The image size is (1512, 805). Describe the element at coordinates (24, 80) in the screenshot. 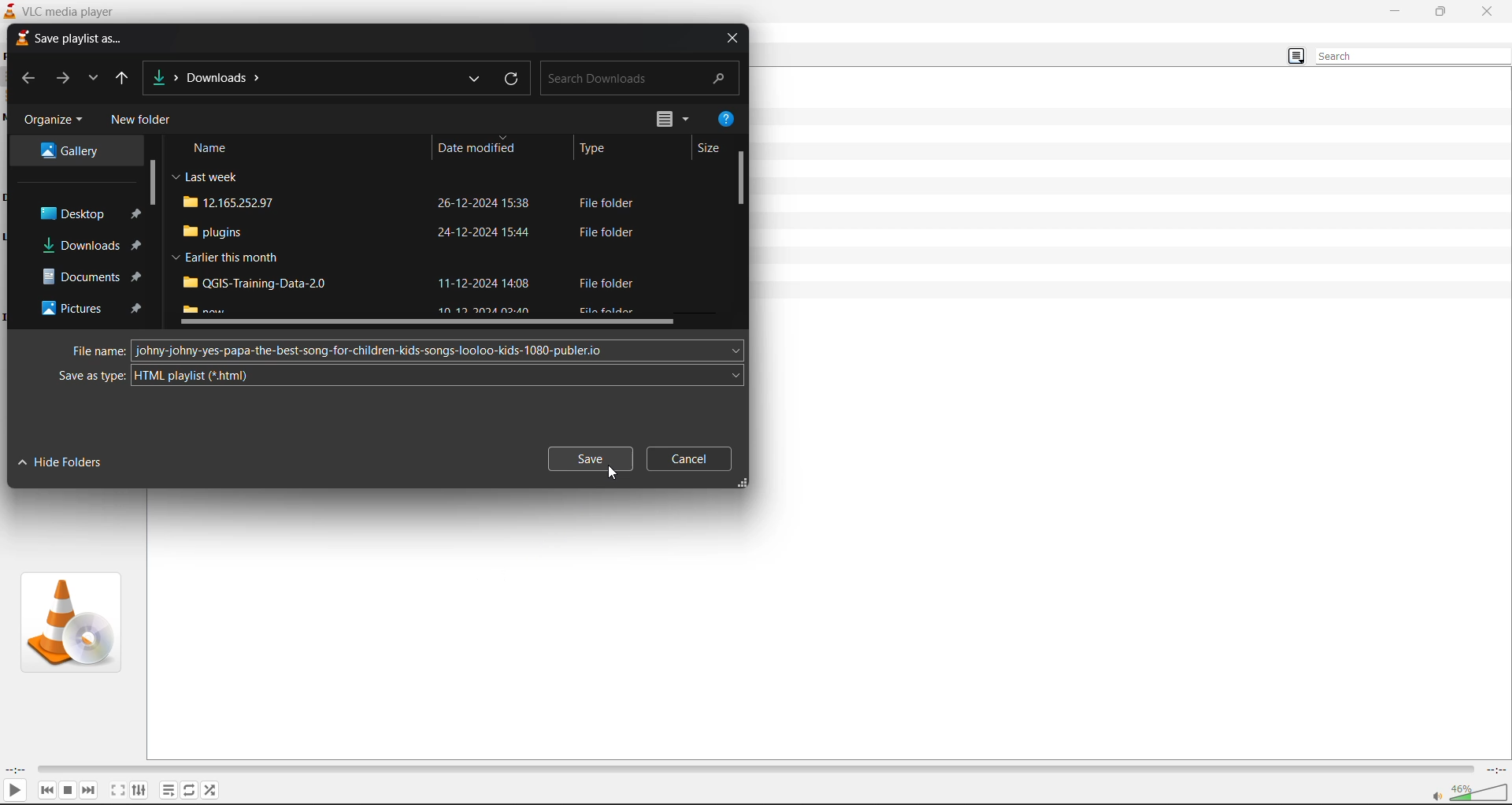

I see `previous` at that location.